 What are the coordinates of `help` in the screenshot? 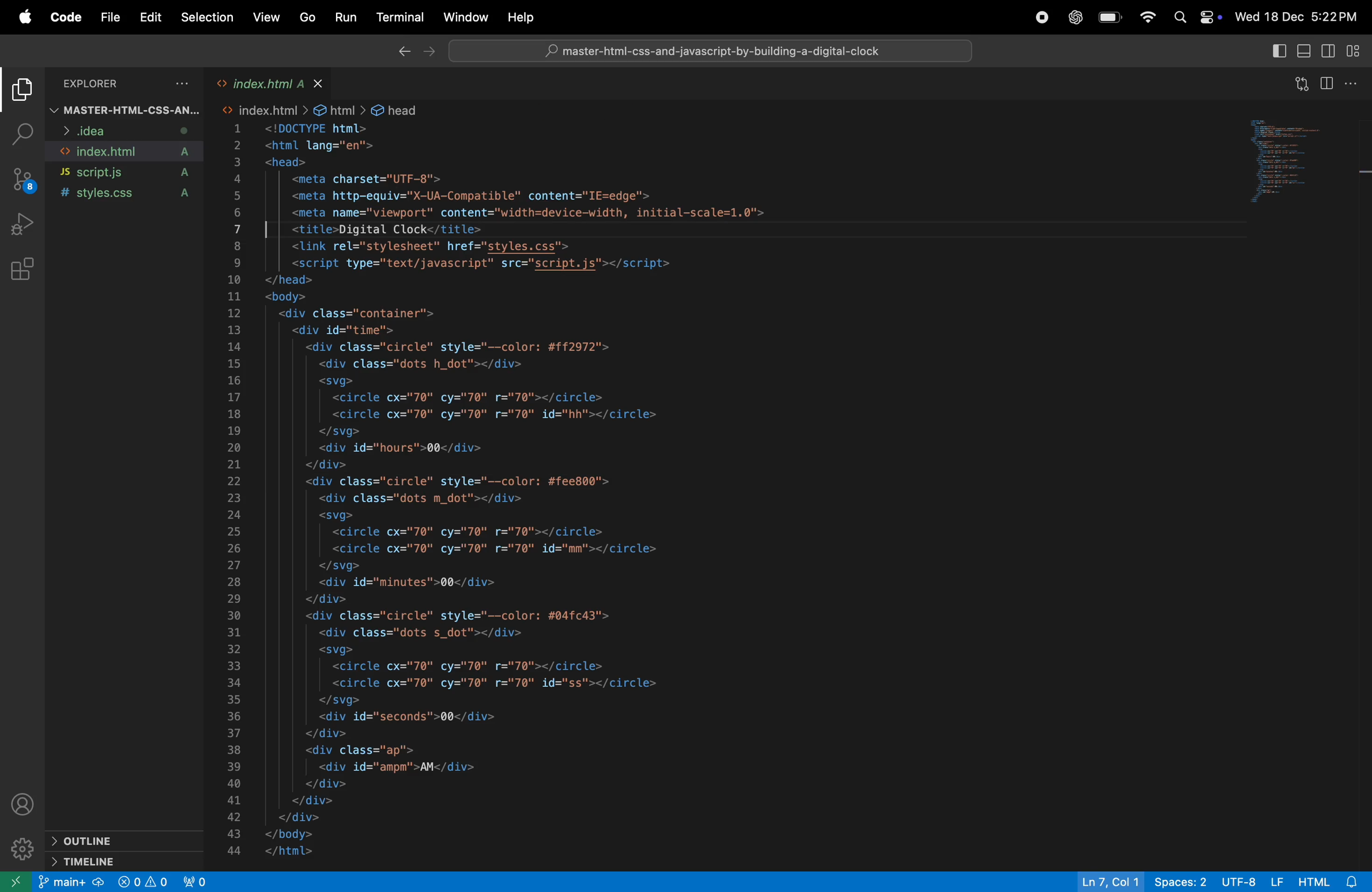 It's located at (522, 17).